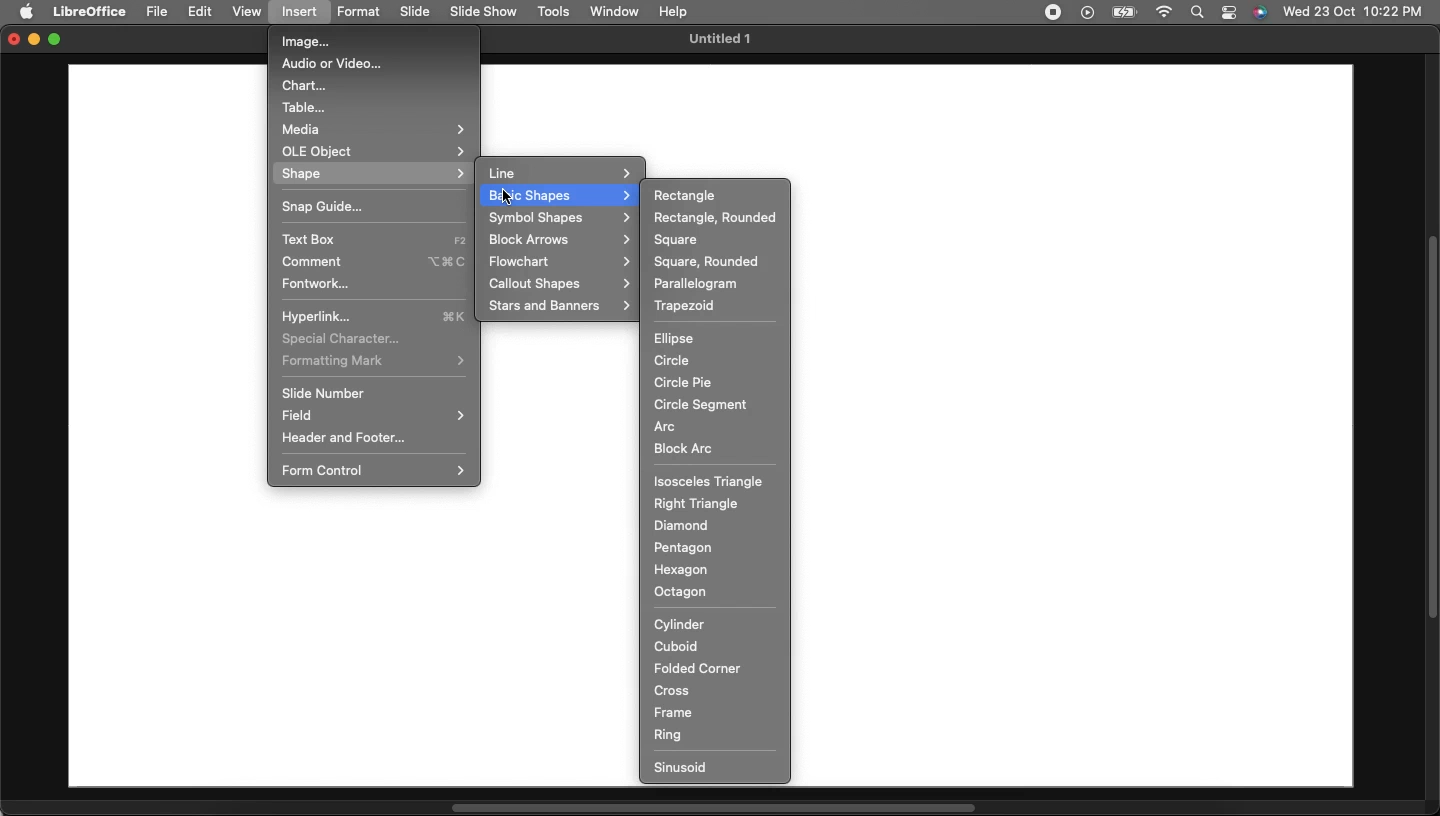 This screenshot has width=1440, height=816. I want to click on Isosceles triangle, so click(710, 481).